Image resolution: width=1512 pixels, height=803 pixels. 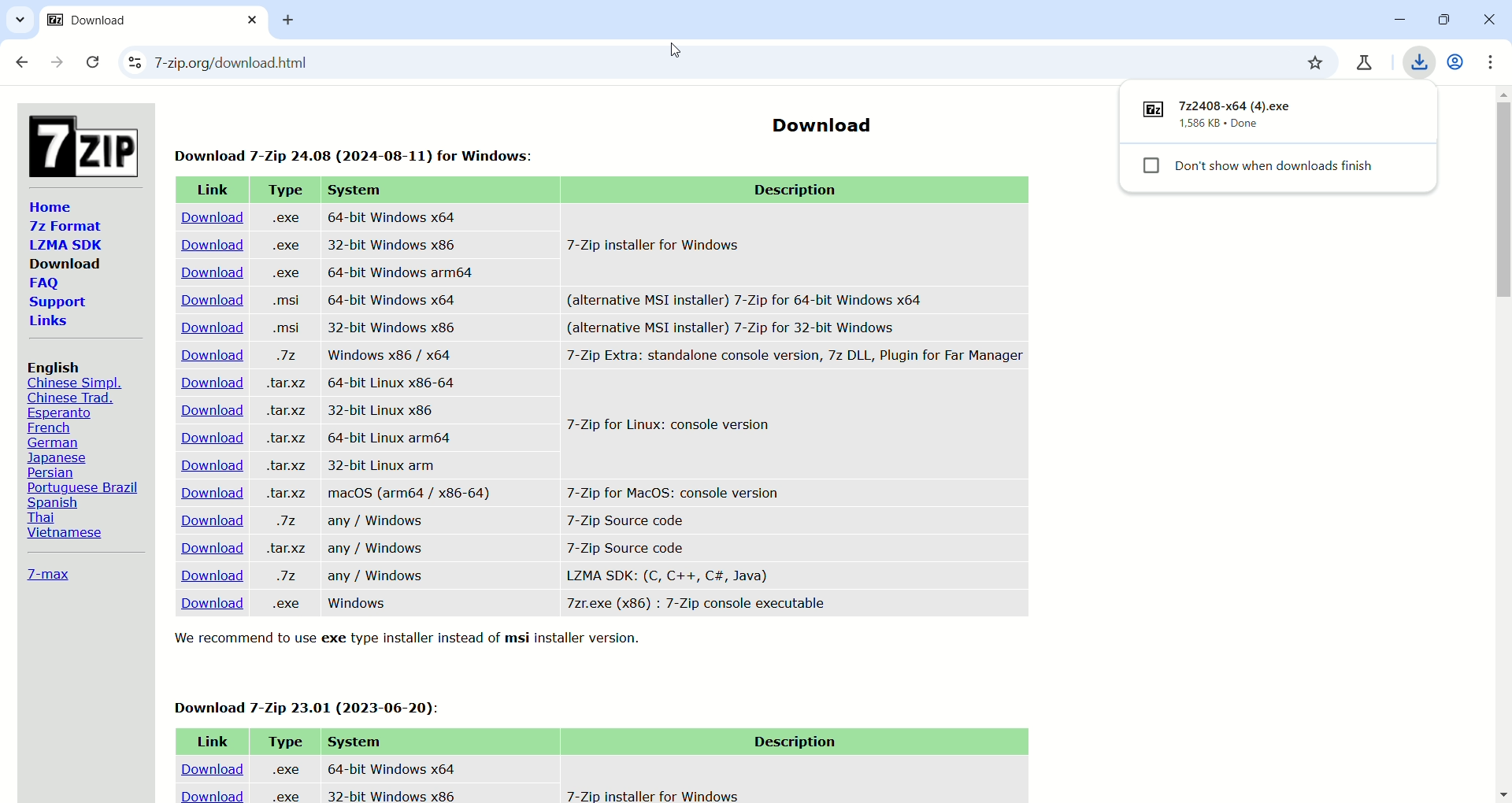 I want to click on macOS (arm64 / x86-64), so click(x=410, y=495).